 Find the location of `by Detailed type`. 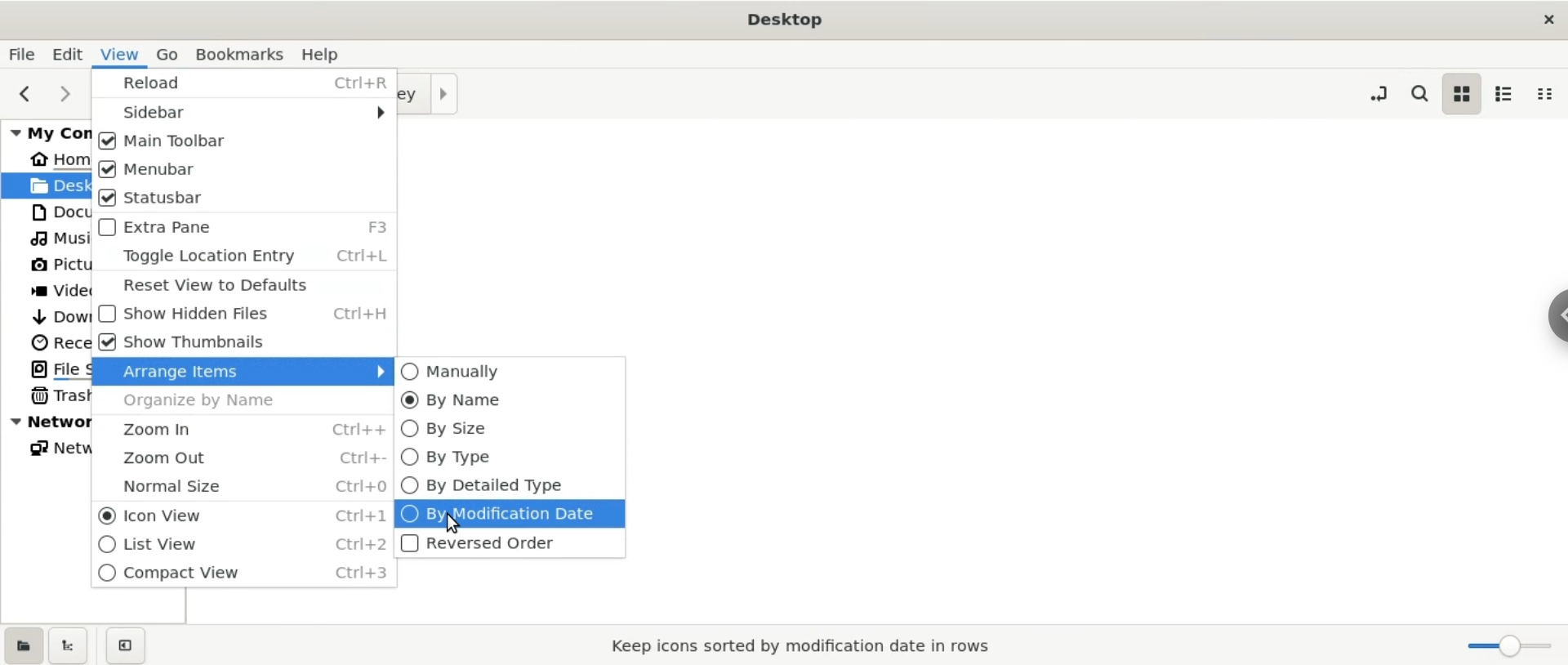

by Detailed type is located at coordinates (510, 489).